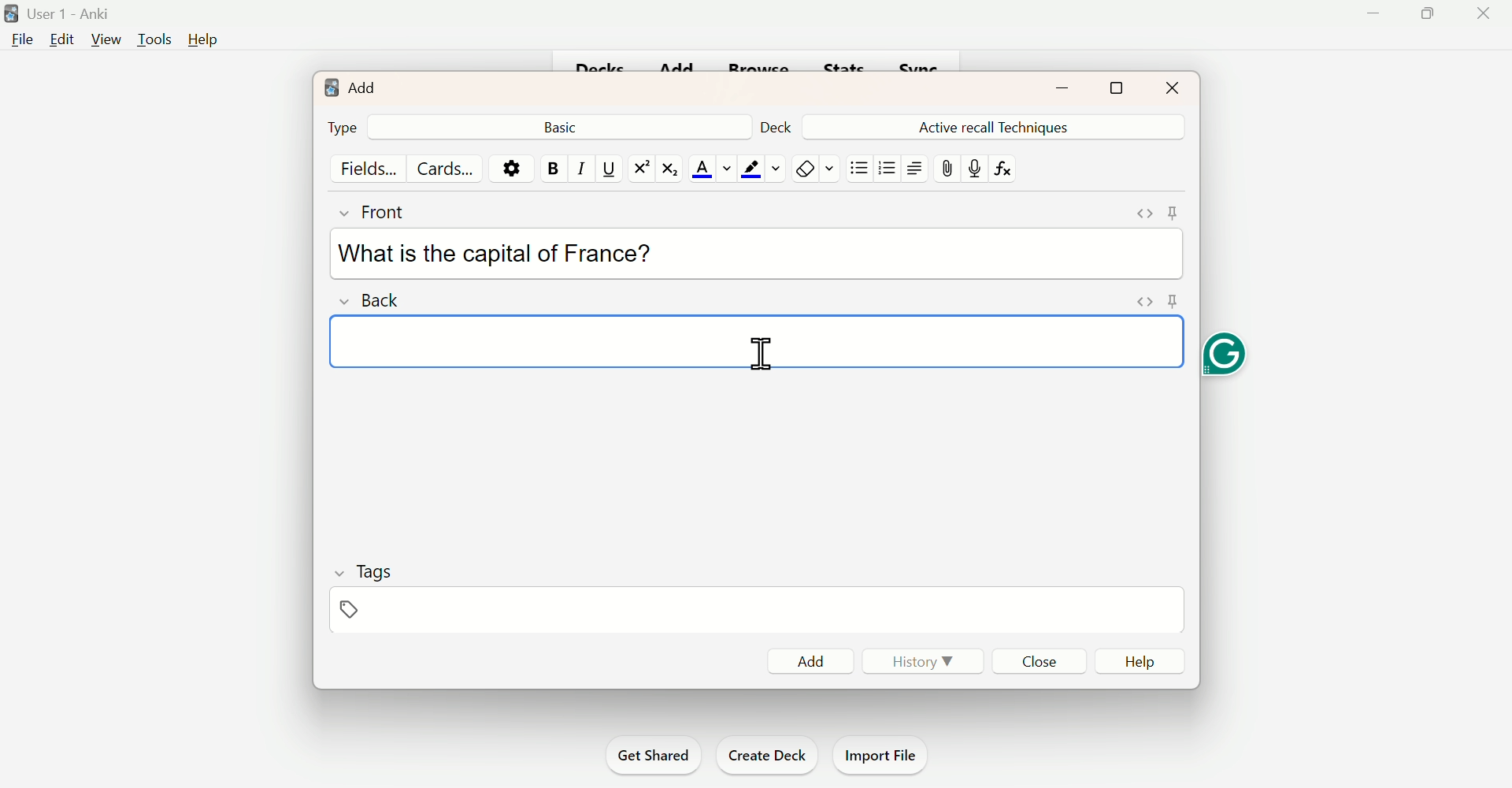 The height and width of the screenshot is (788, 1512). I want to click on Subscript, so click(669, 169).